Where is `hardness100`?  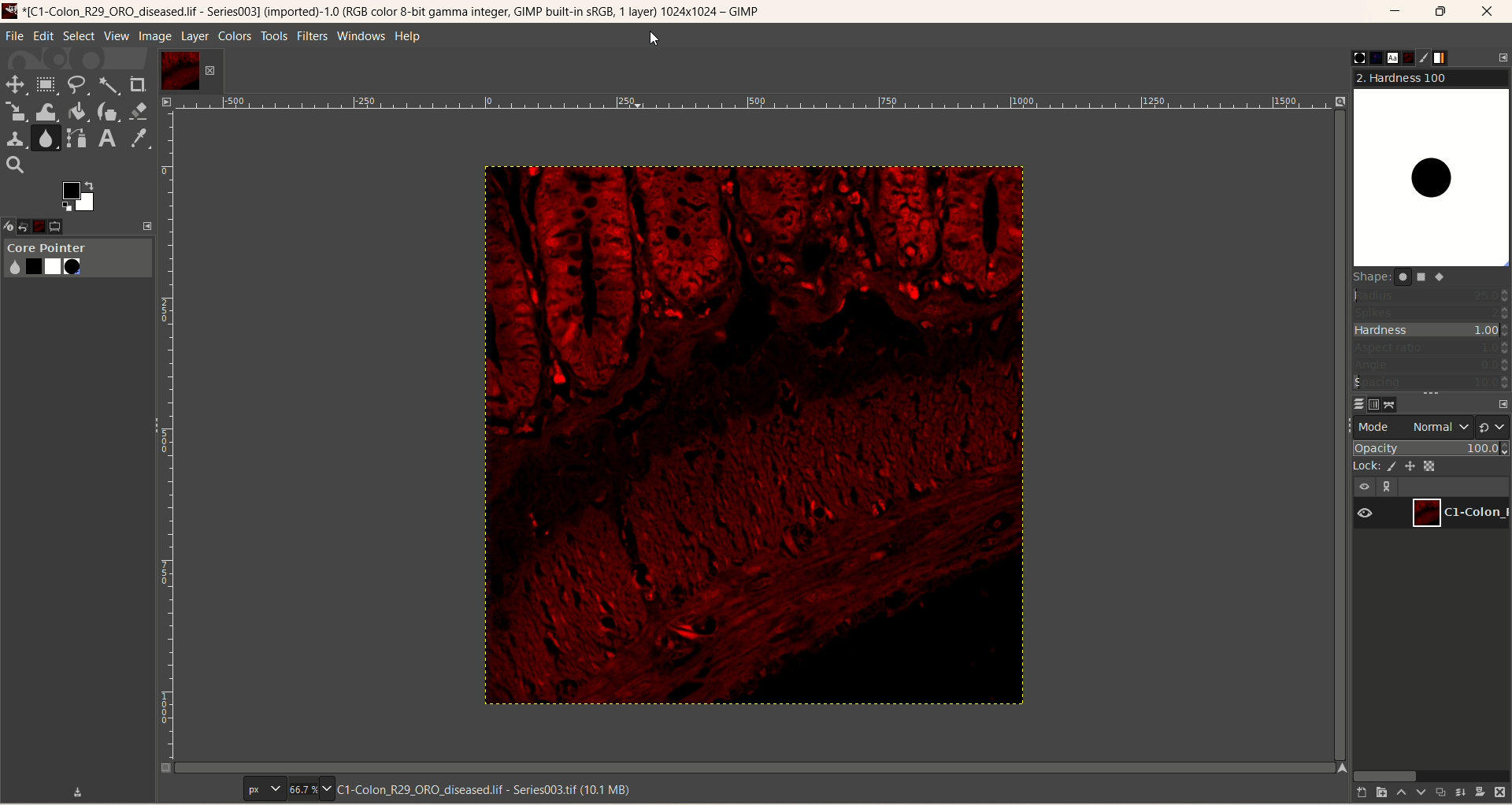
hardness100 is located at coordinates (1431, 169).